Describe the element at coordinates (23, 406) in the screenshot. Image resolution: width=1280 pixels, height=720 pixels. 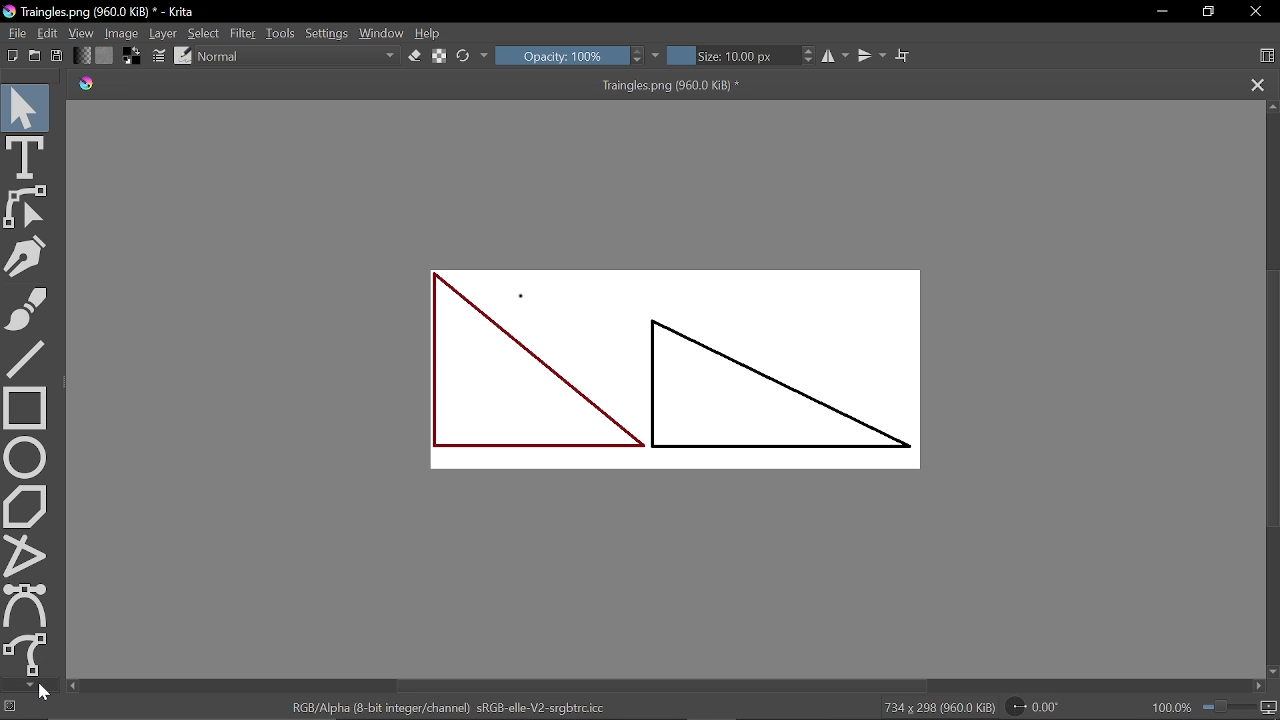
I see `Rectangle tool` at that location.